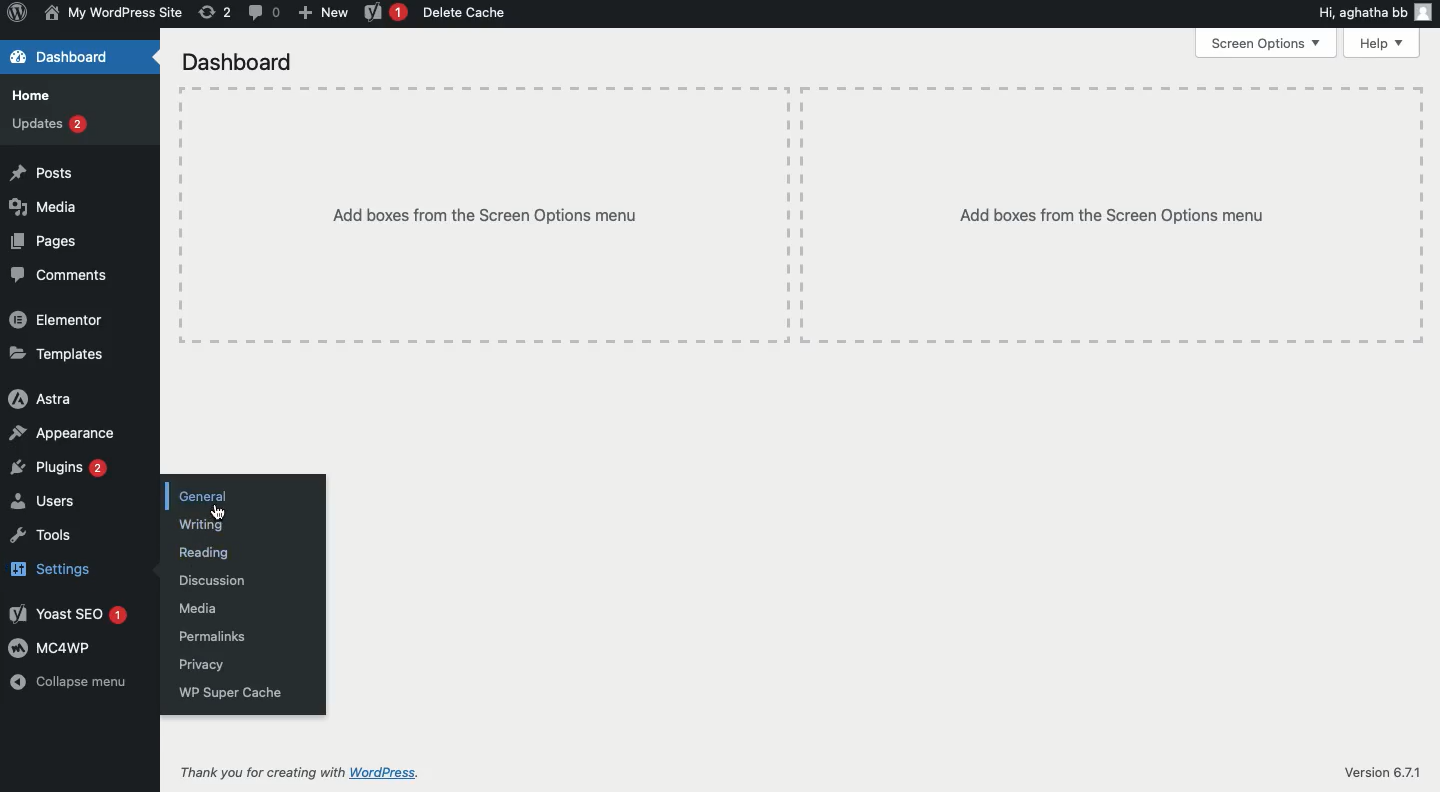 This screenshot has width=1440, height=792. Describe the element at coordinates (199, 608) in the screenshot. I see `Media` at that location.